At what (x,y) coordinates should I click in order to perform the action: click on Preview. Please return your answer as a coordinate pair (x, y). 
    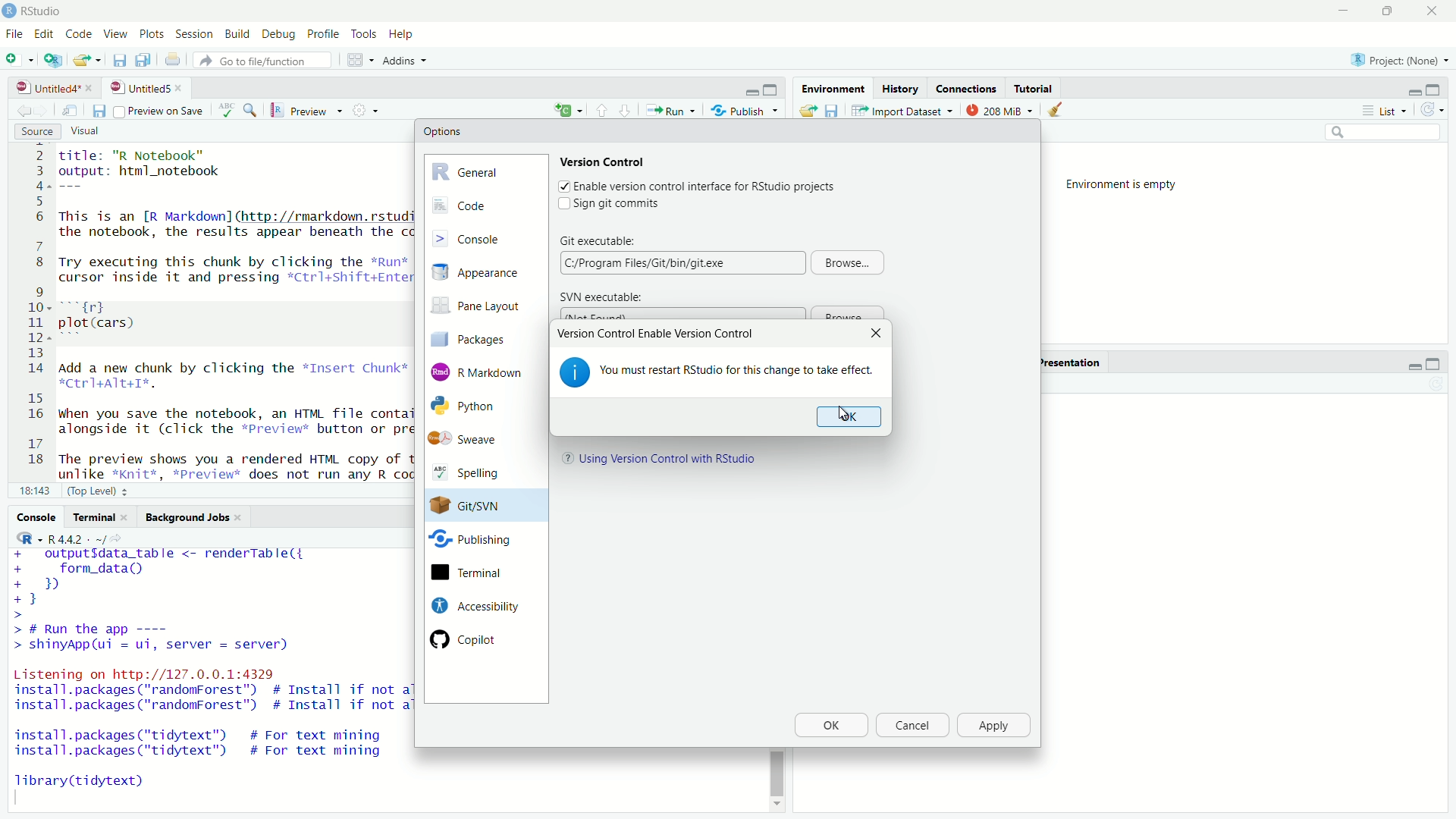
    Looking at the image, I should click on (307, 111).